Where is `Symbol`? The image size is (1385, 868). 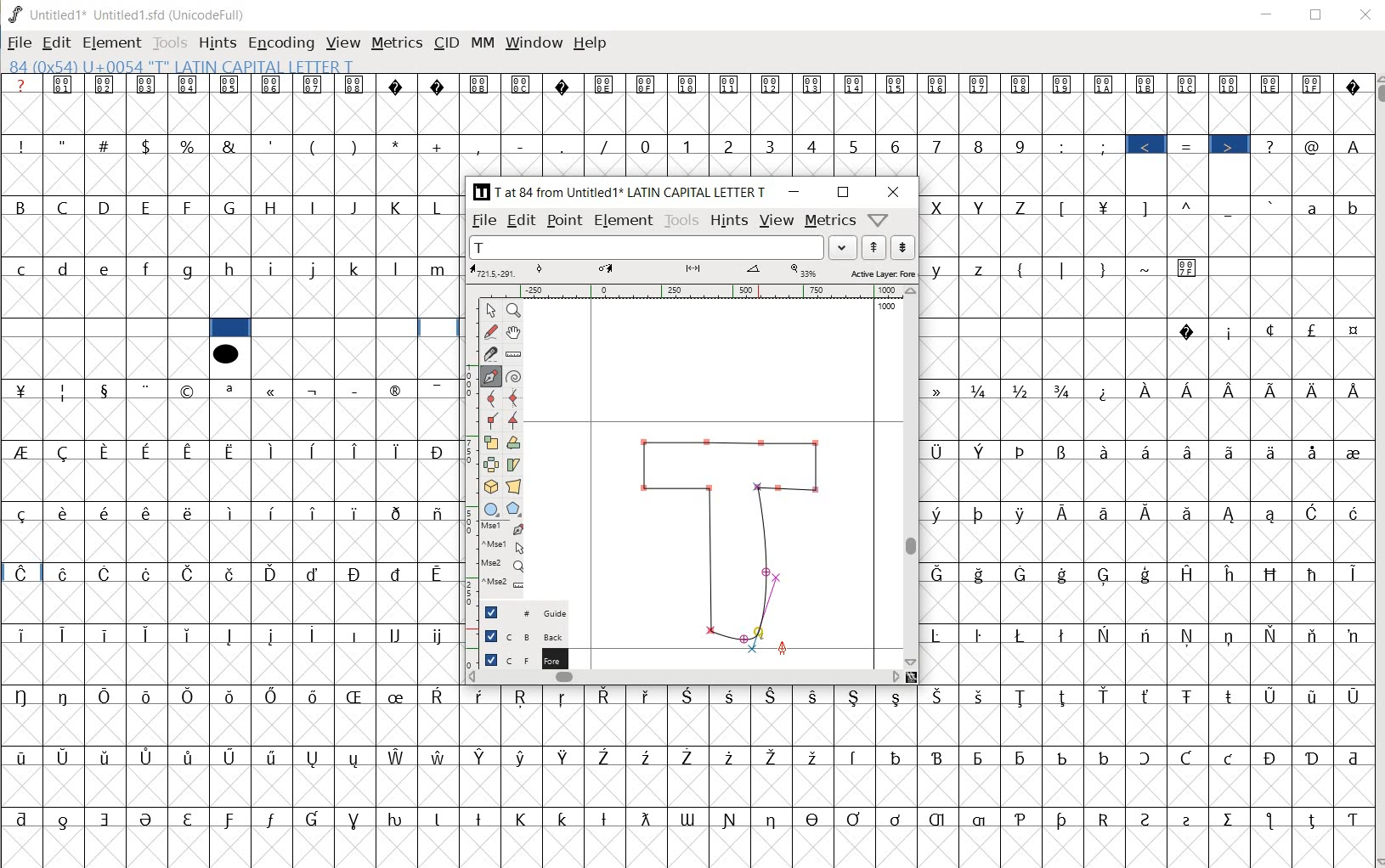
Symbol is located at coordinates (814, 86).